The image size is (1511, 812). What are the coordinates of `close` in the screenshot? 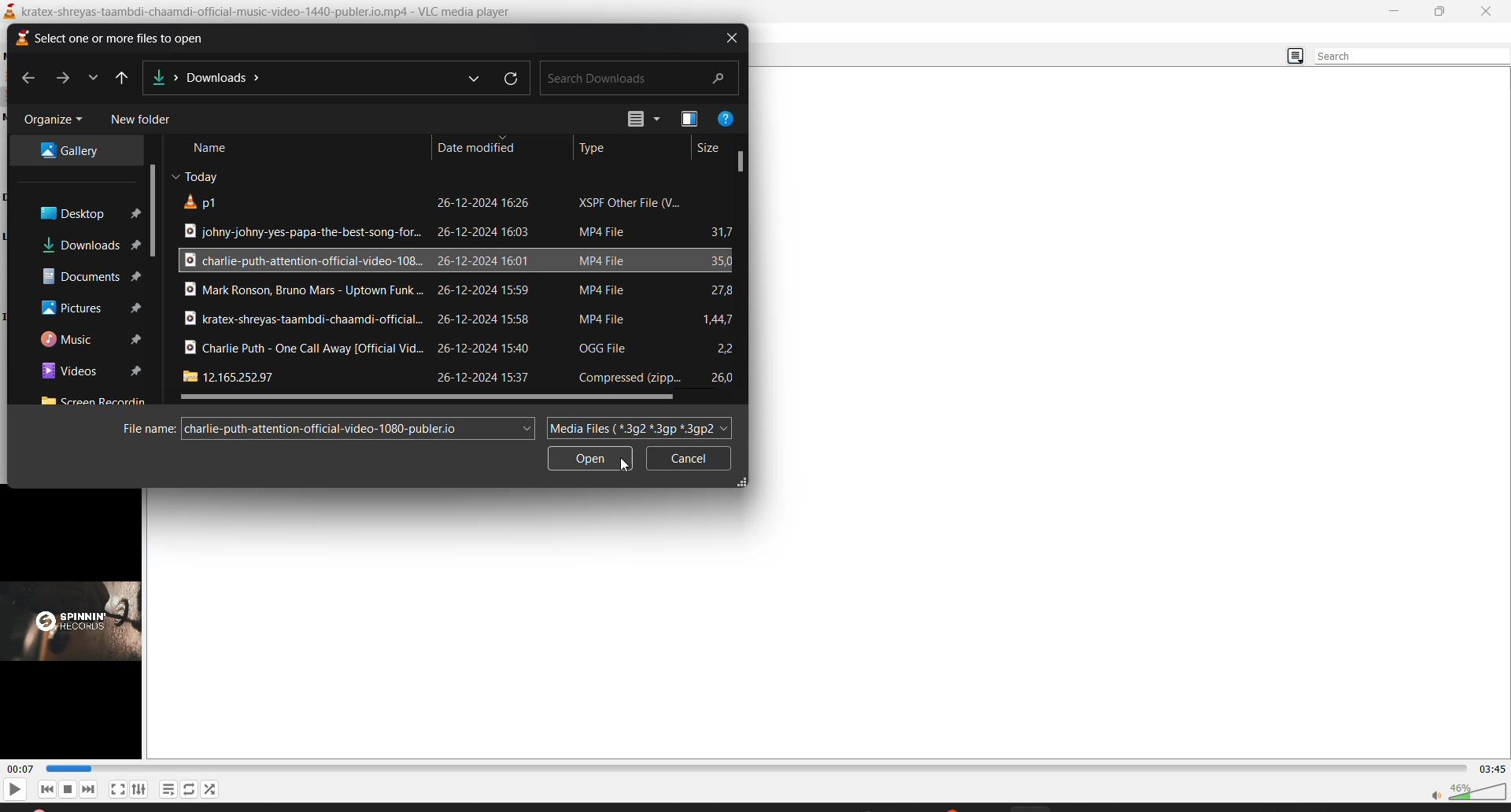 It's located at (734, 39).